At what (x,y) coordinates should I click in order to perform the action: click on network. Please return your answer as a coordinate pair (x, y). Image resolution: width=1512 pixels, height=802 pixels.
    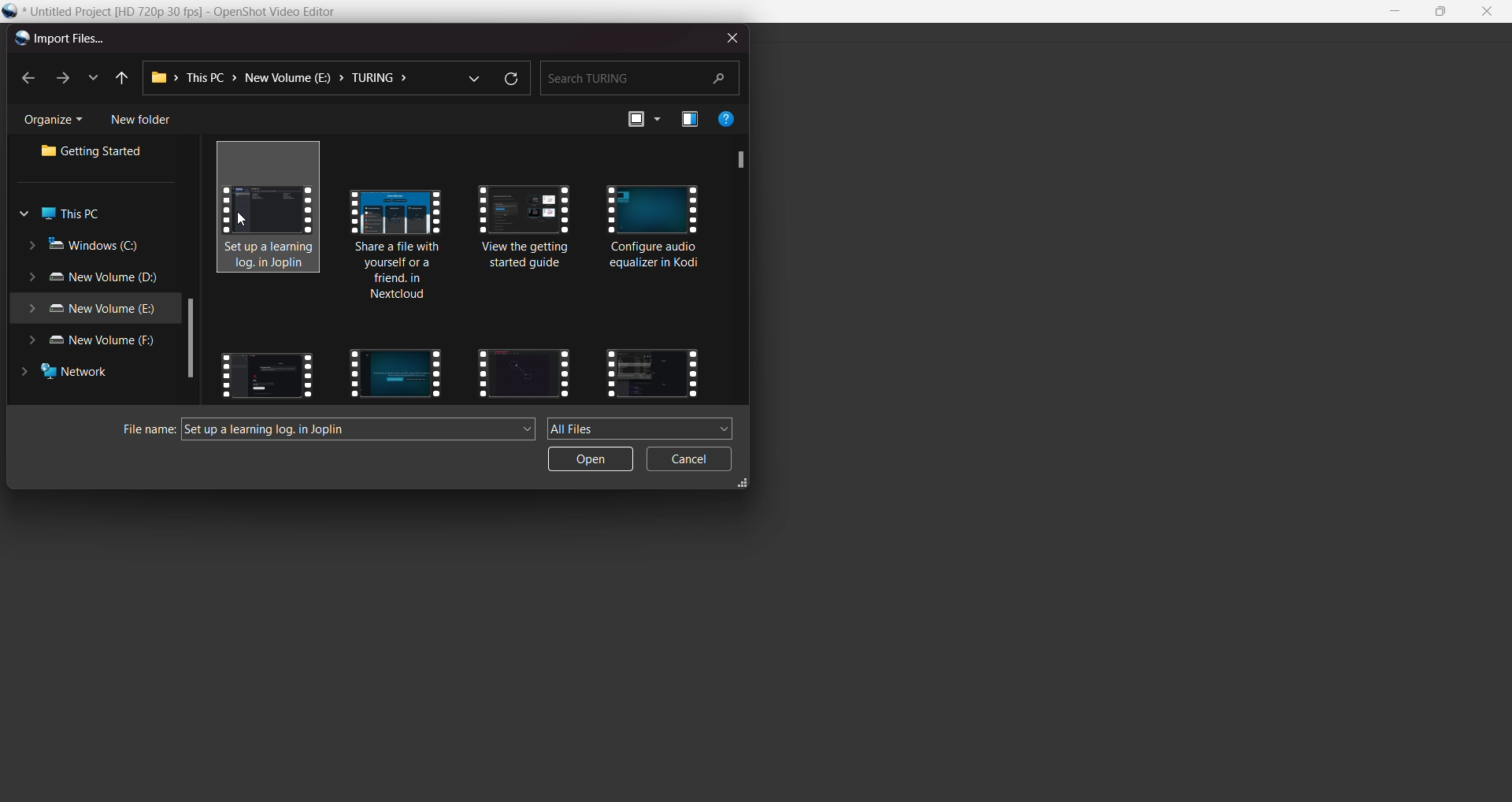
    Looking at the image, I should click on (72, 375).